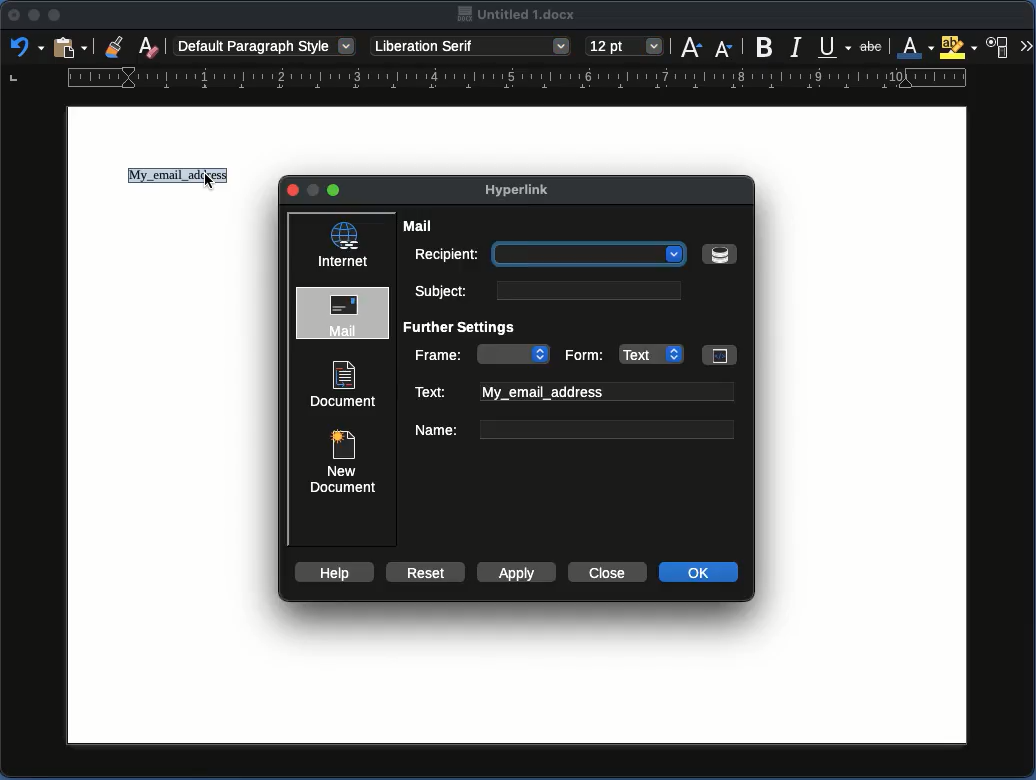  I want to click on Bold, so click(765, 47).